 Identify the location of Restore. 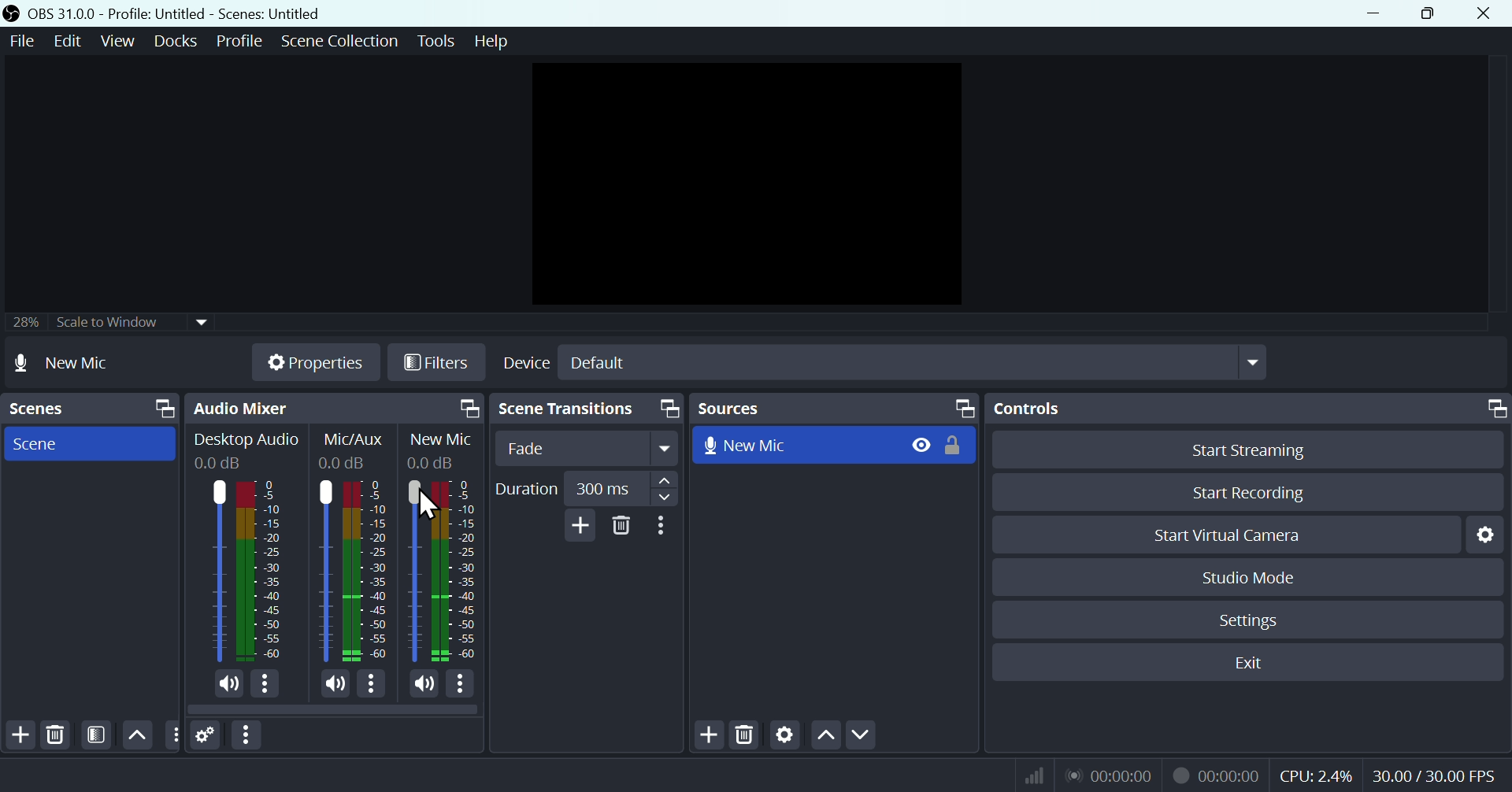
(1432, 13).